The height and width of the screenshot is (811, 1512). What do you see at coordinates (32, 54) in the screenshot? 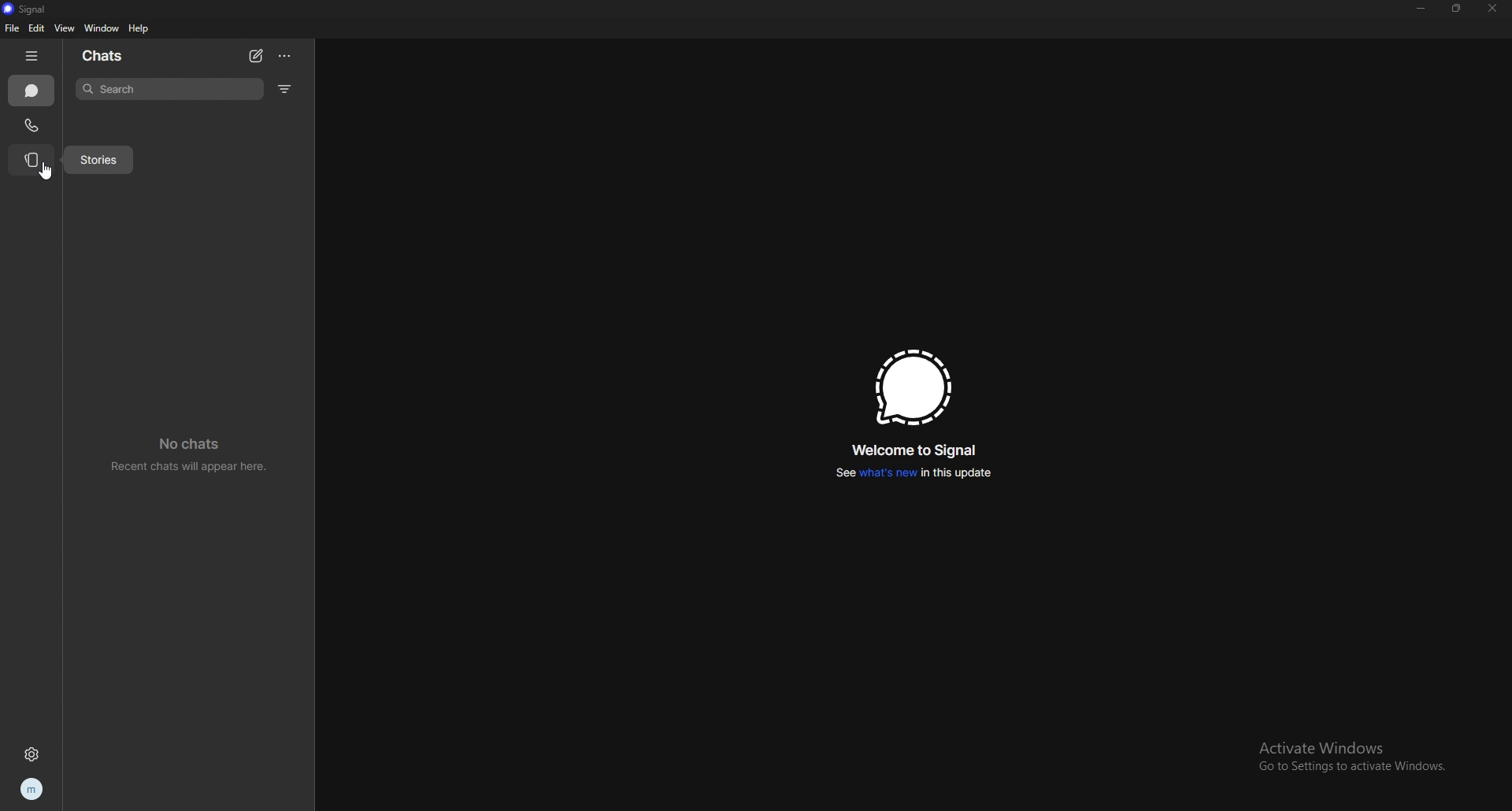
I see `hide tab` at bounding box center [32, 54].